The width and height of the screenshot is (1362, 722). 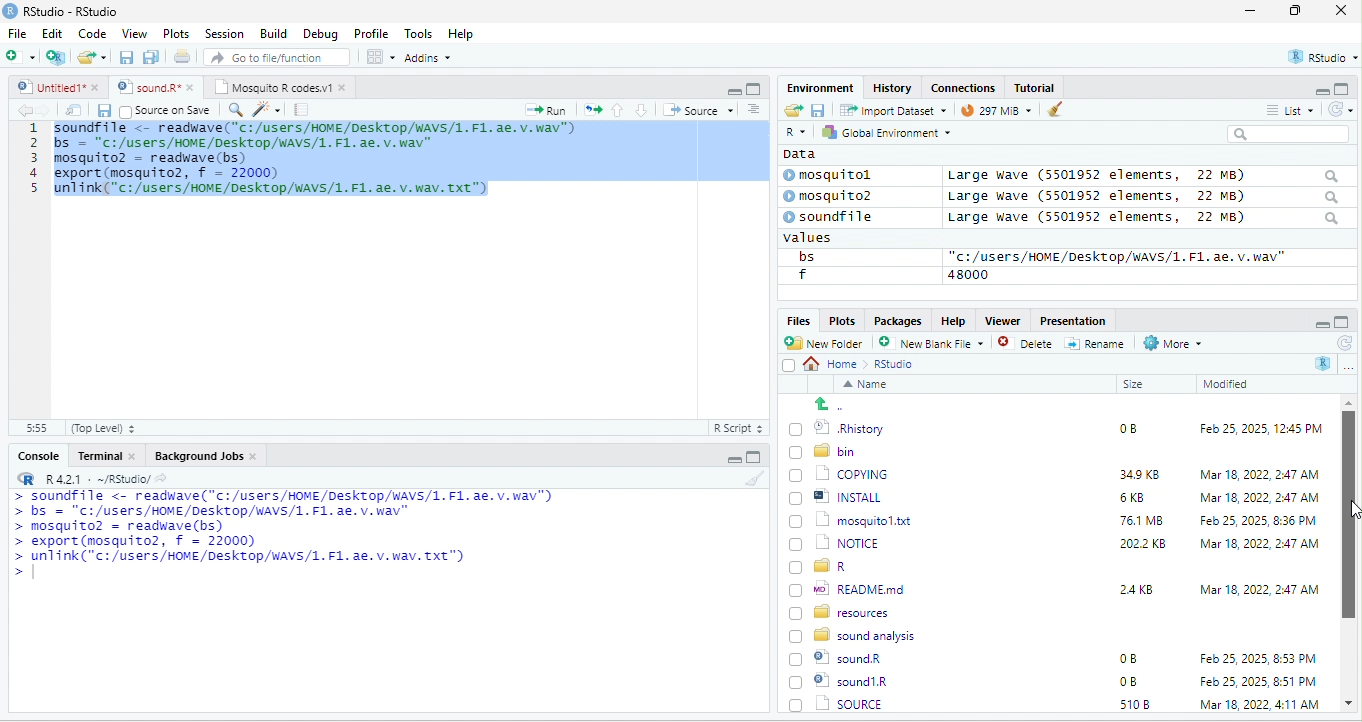 I want to click on Files, so click(x=795, y=320).